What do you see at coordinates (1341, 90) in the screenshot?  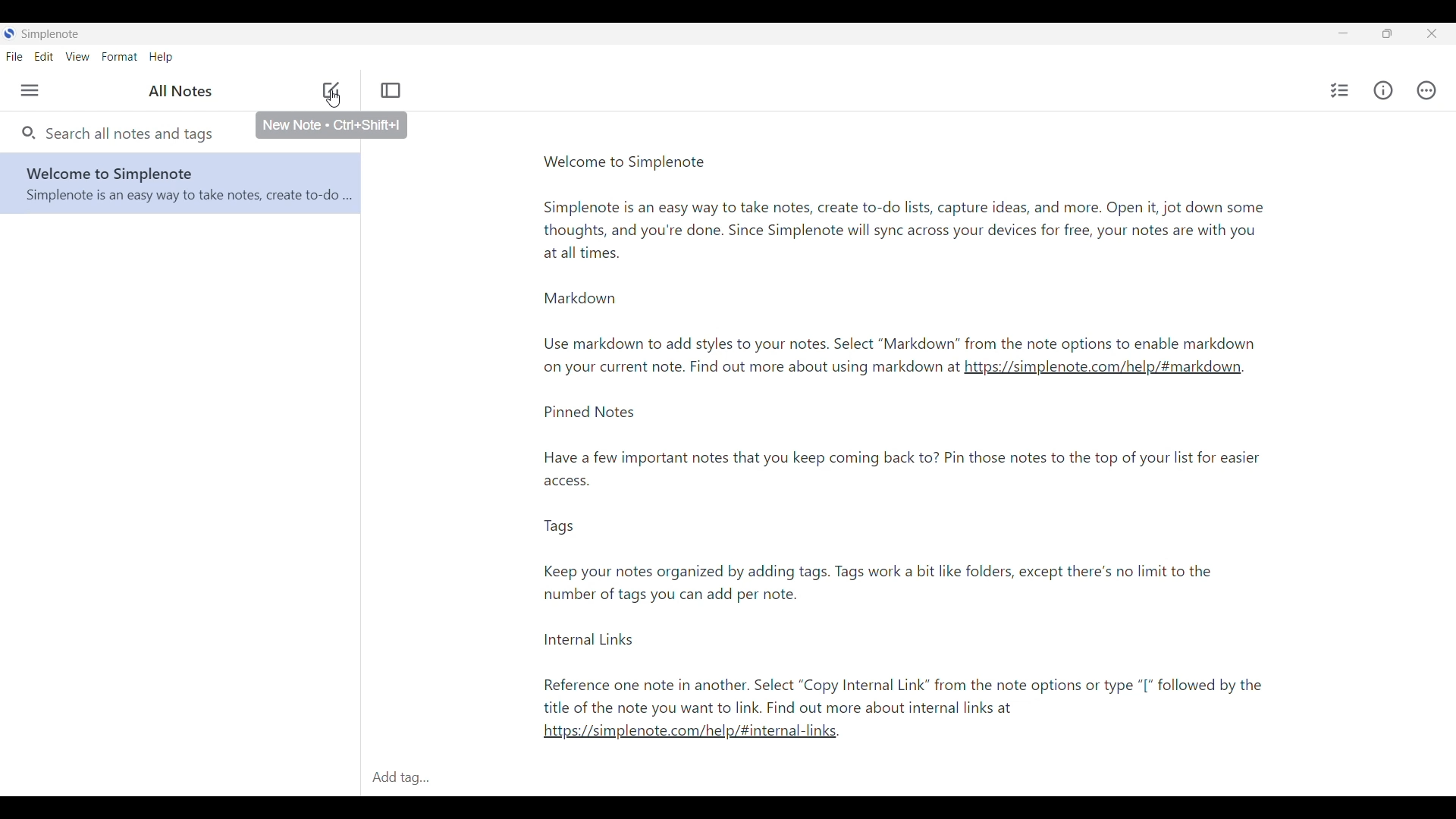 I see `Insert checklist` at bounding box center [1341, 90].